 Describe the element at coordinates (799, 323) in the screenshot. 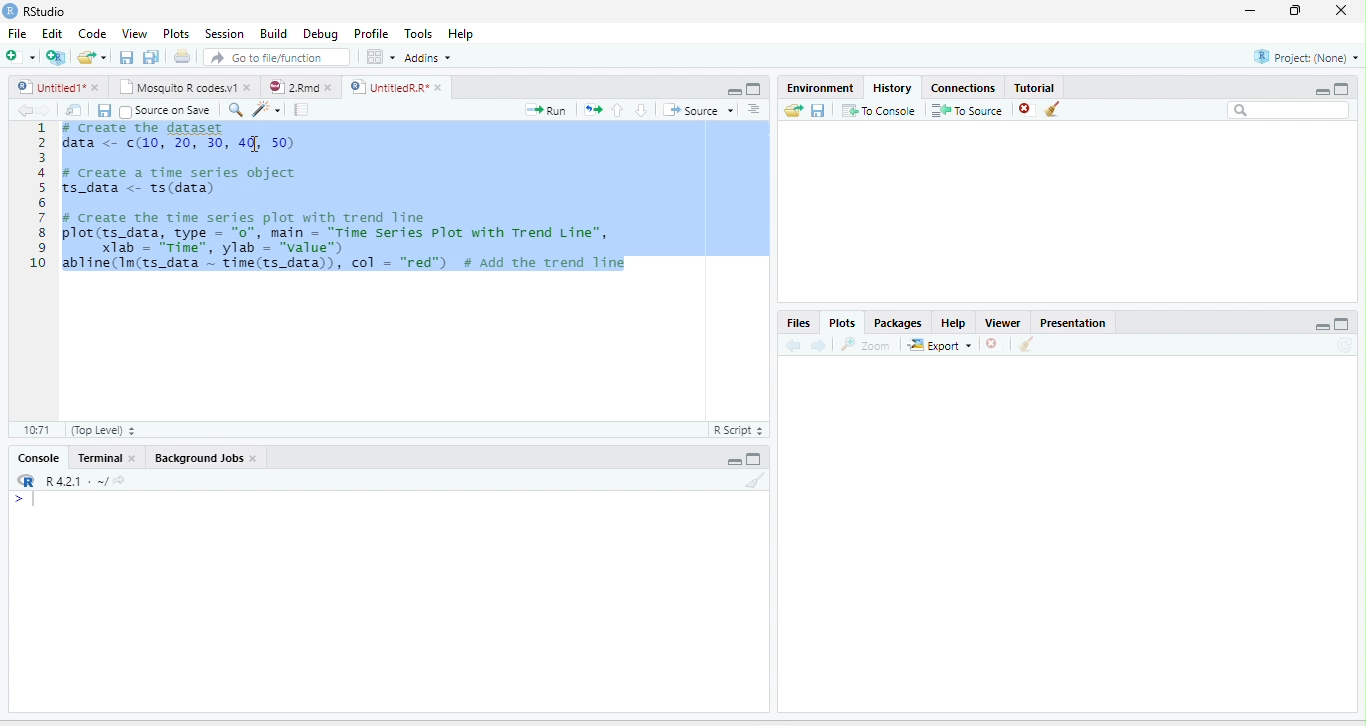

I see `Files` at that location.